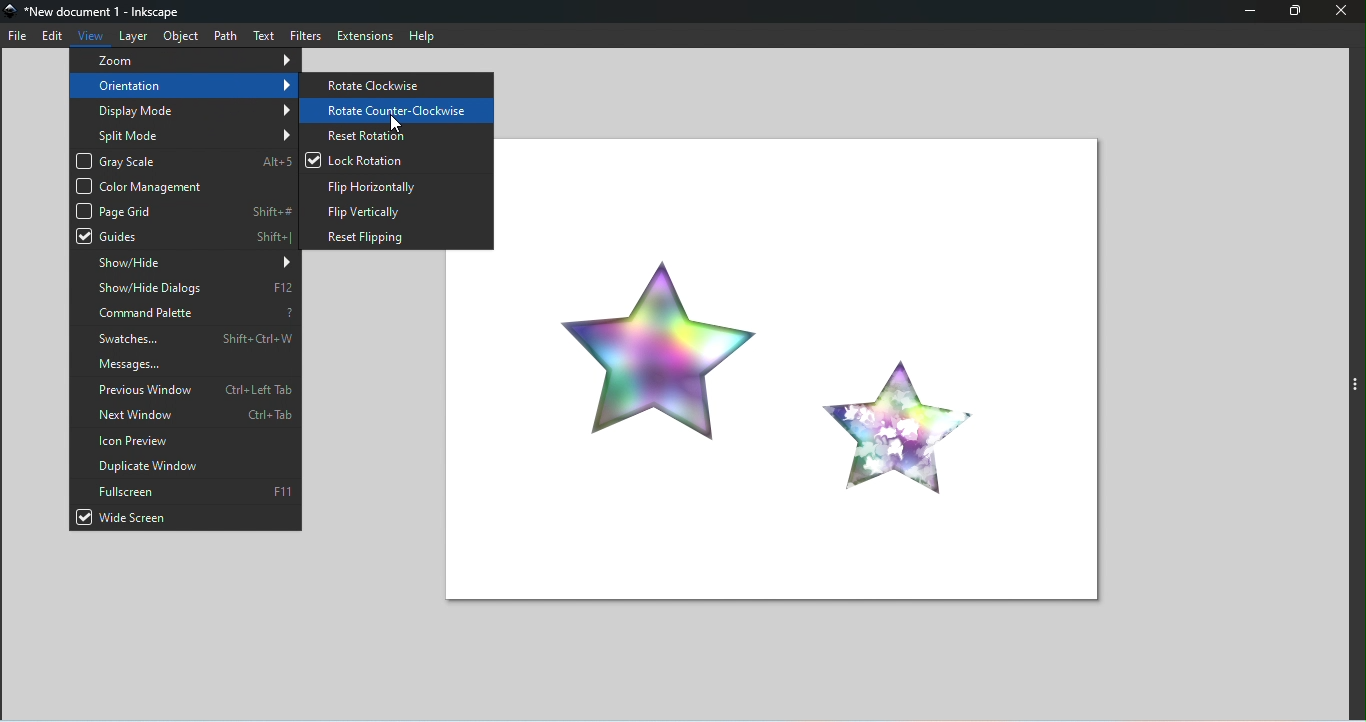  I want to click on Split mode, so click(184, 133).